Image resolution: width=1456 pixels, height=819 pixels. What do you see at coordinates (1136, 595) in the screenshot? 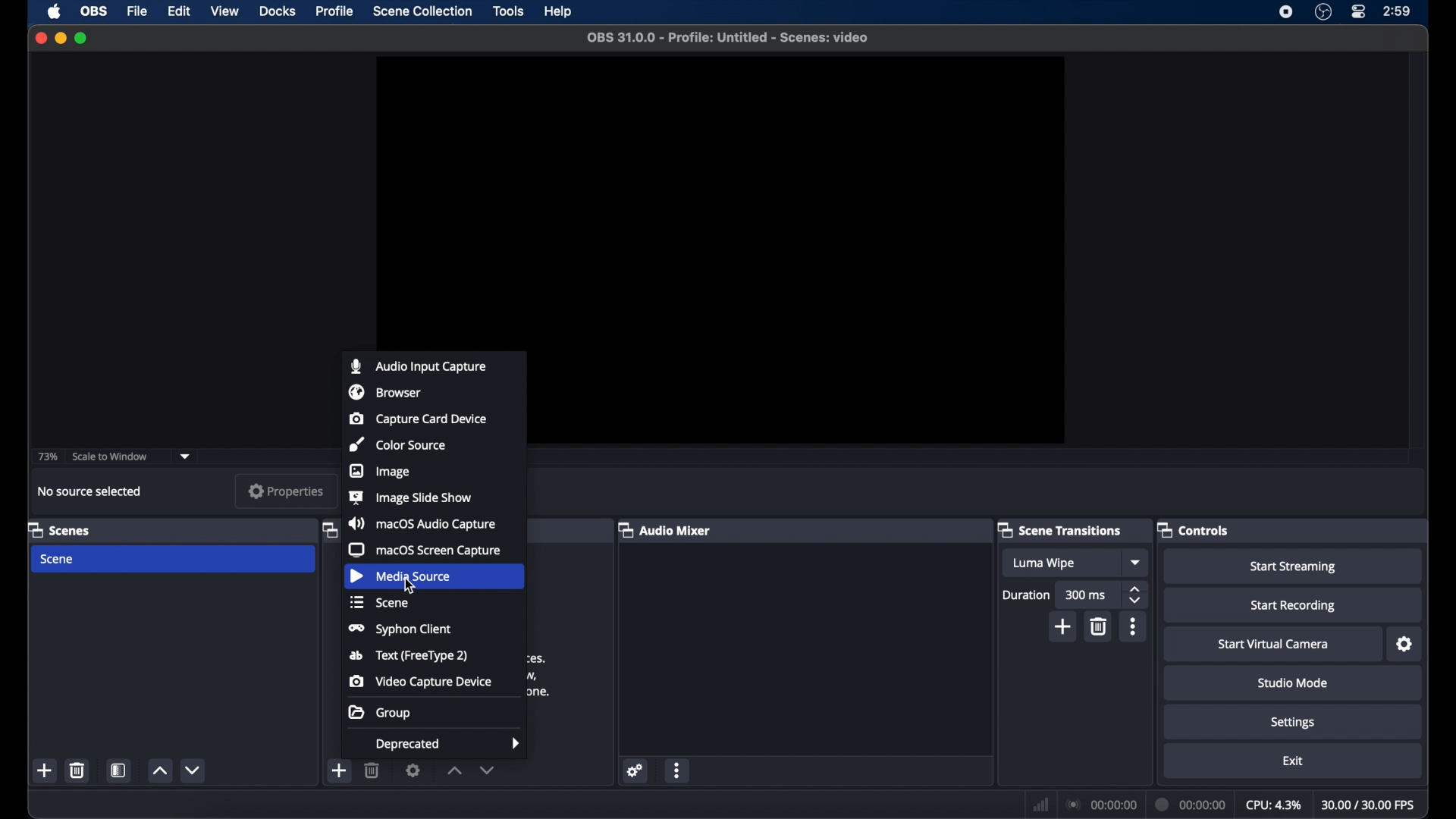
I see `stepper buttons` at bounding box center [1136, 595].